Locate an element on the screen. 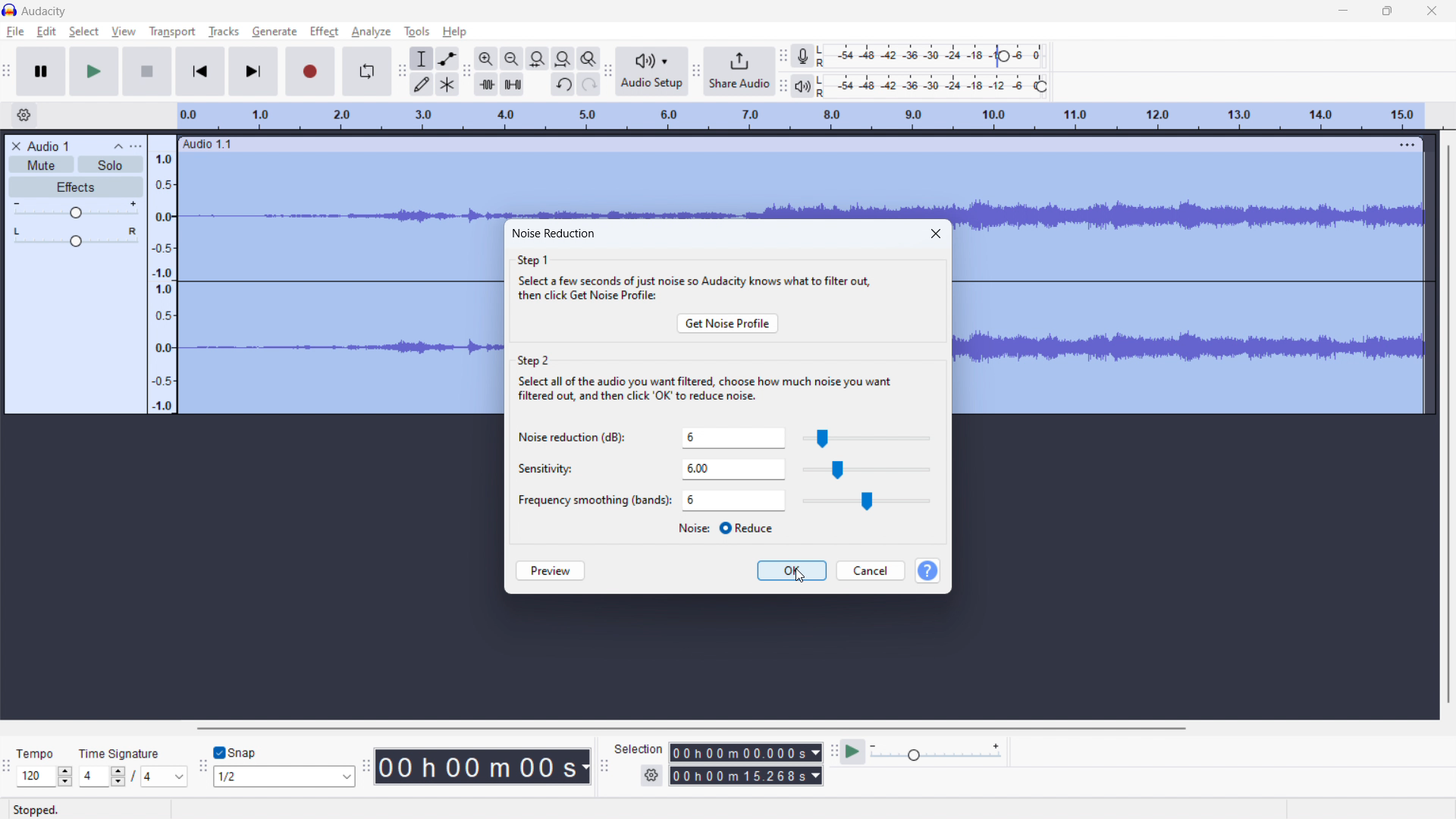 This screenshot has height=819, width=1456. multi tool is located at coordinates (448, 84).